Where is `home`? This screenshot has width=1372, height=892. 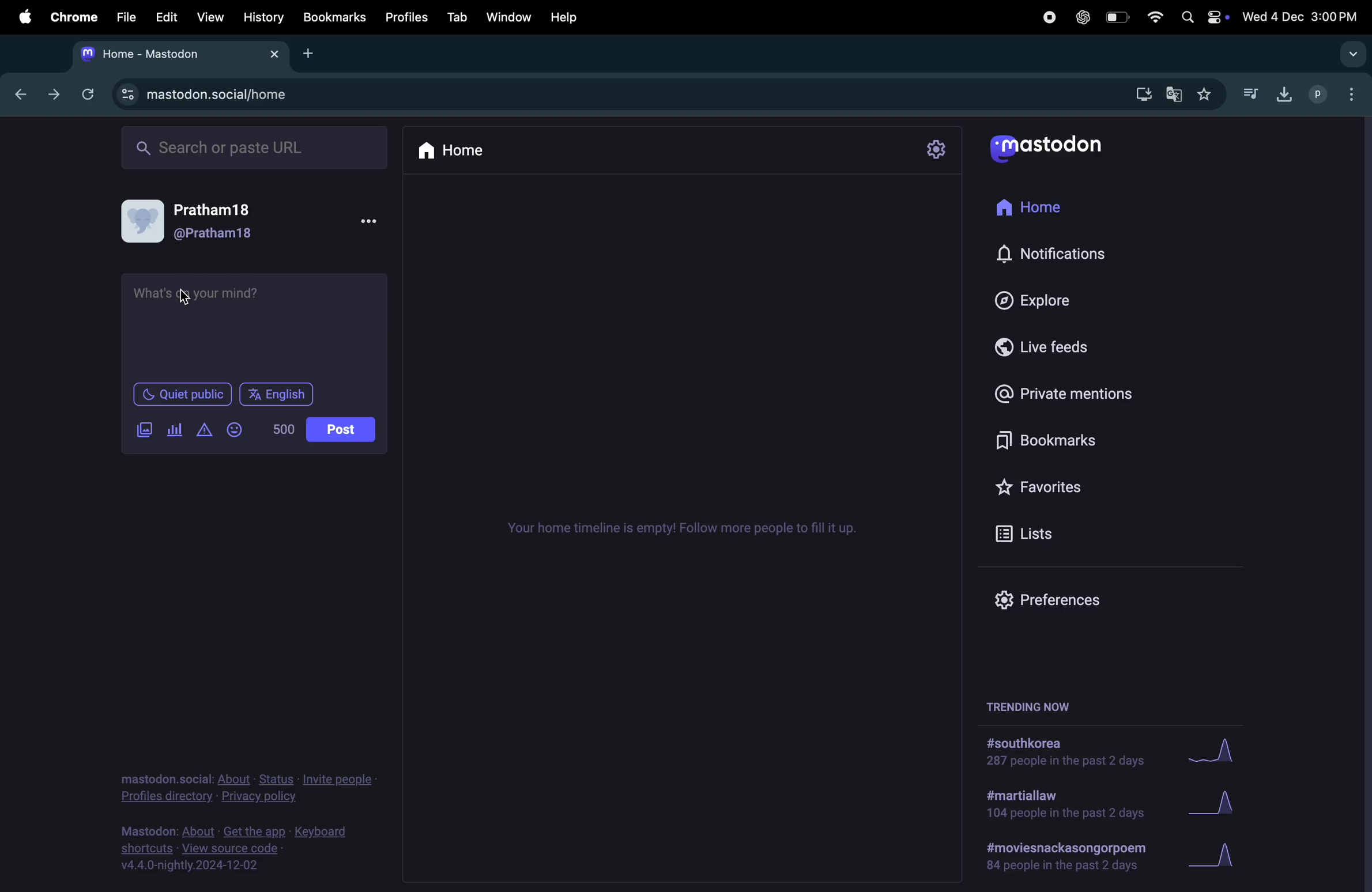 home is located at coordinates (455, 152).